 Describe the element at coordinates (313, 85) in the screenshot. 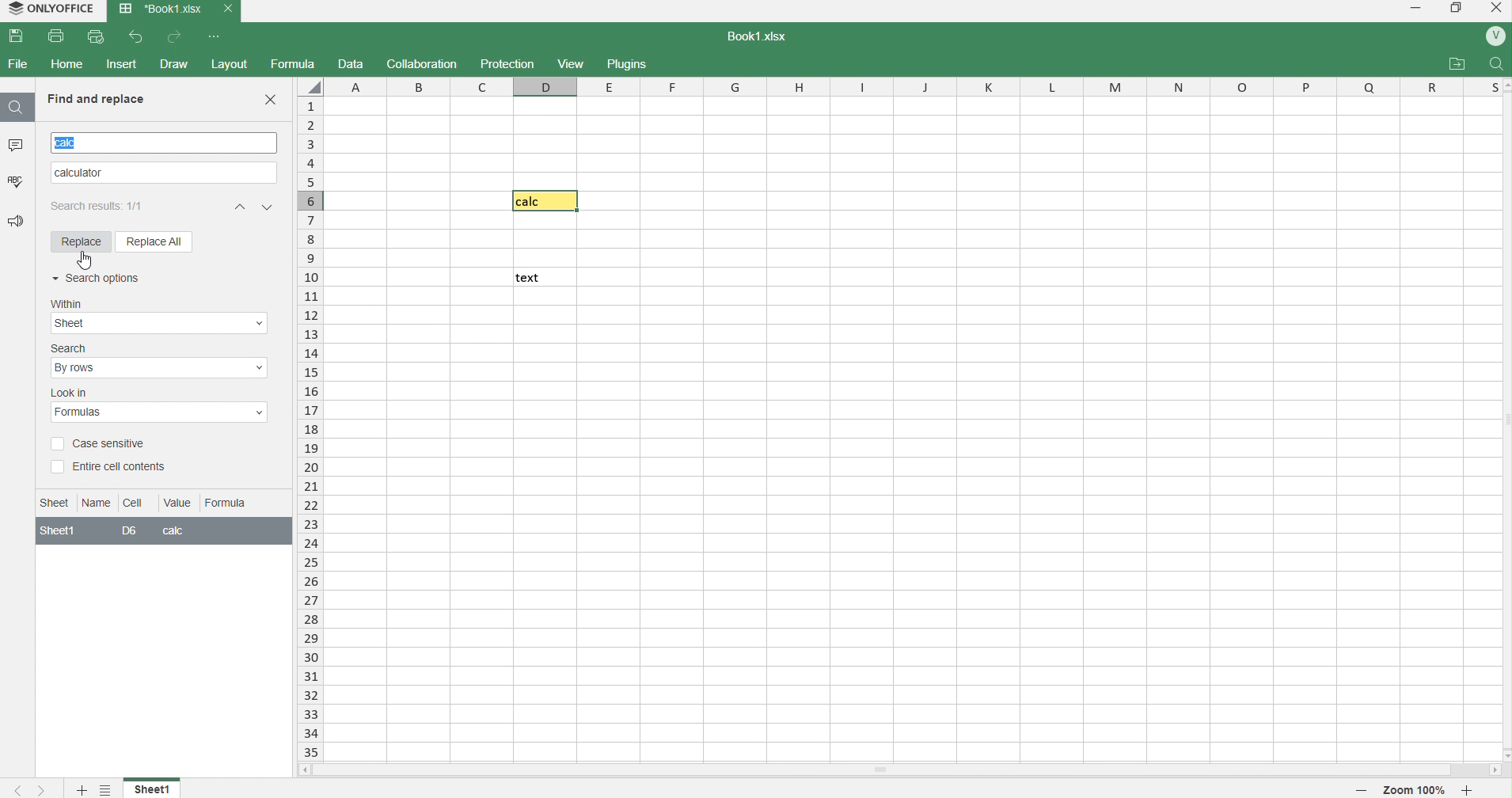

I see `select whole sheet` at that location.